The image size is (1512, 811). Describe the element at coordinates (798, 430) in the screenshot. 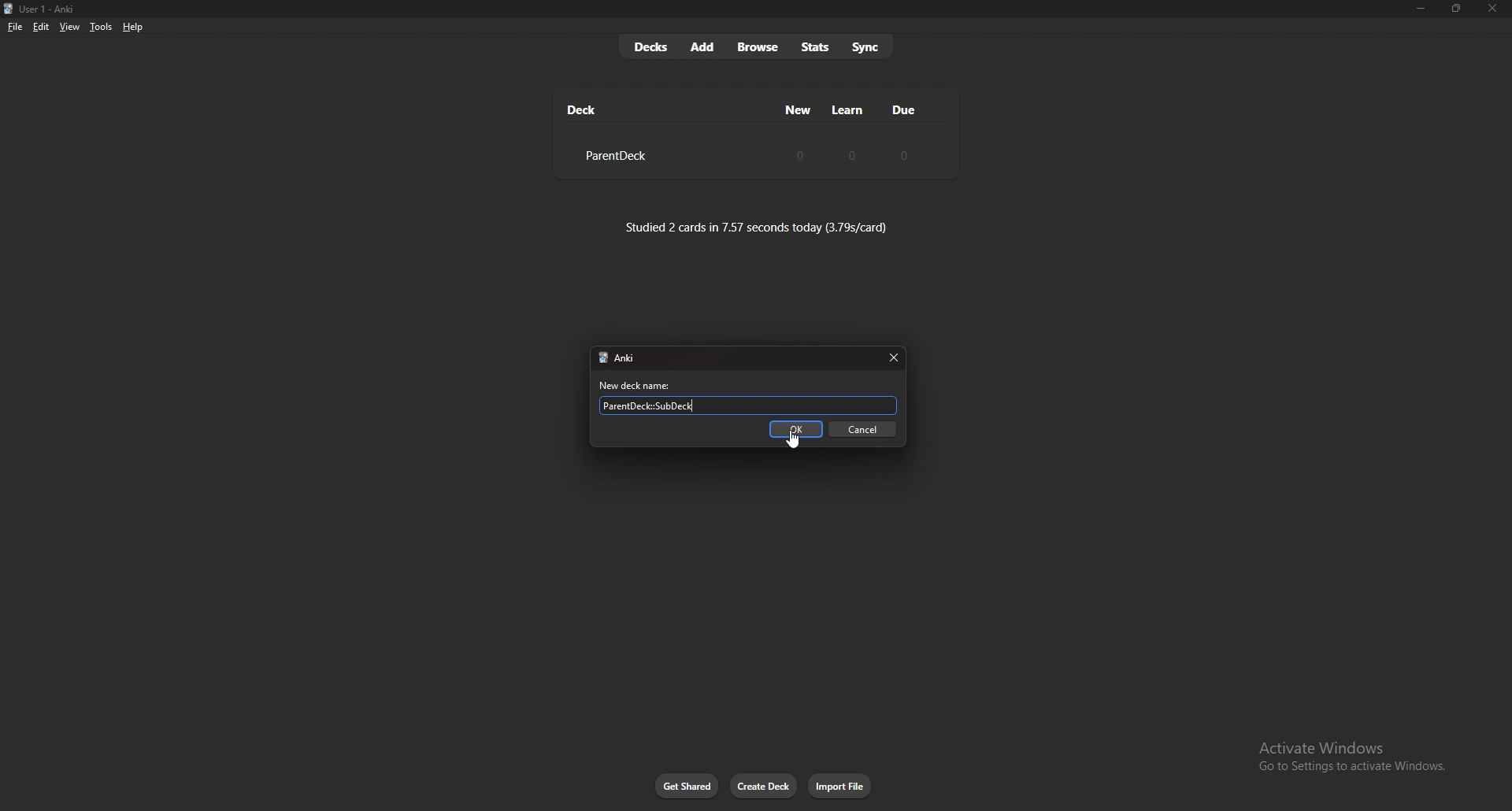

I see `ok` at that location.